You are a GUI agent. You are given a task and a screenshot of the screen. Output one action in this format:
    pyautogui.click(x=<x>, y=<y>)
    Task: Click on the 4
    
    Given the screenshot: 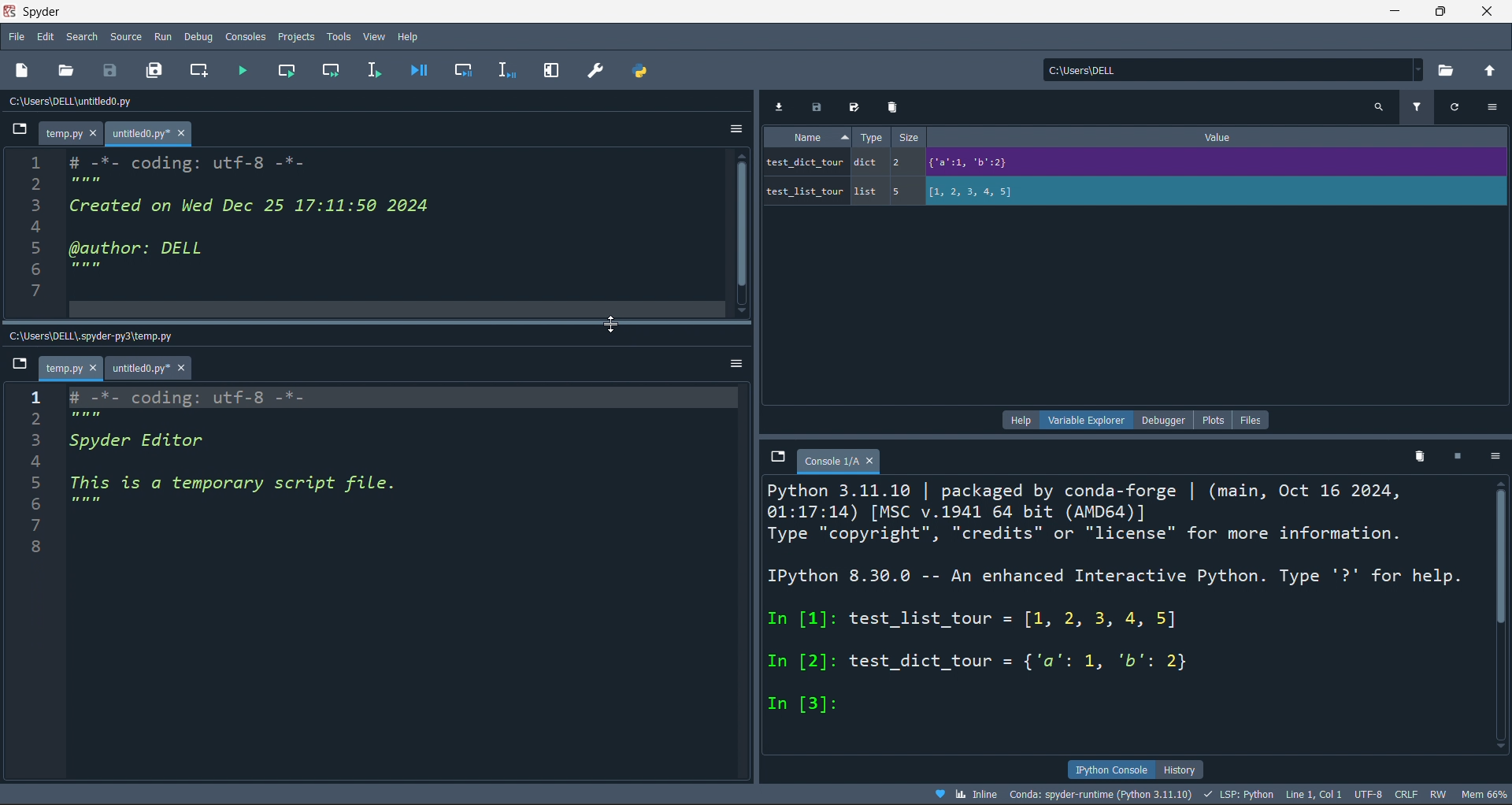 What is the action you would take?
    pyautogui.click(x=87, y=464)
    